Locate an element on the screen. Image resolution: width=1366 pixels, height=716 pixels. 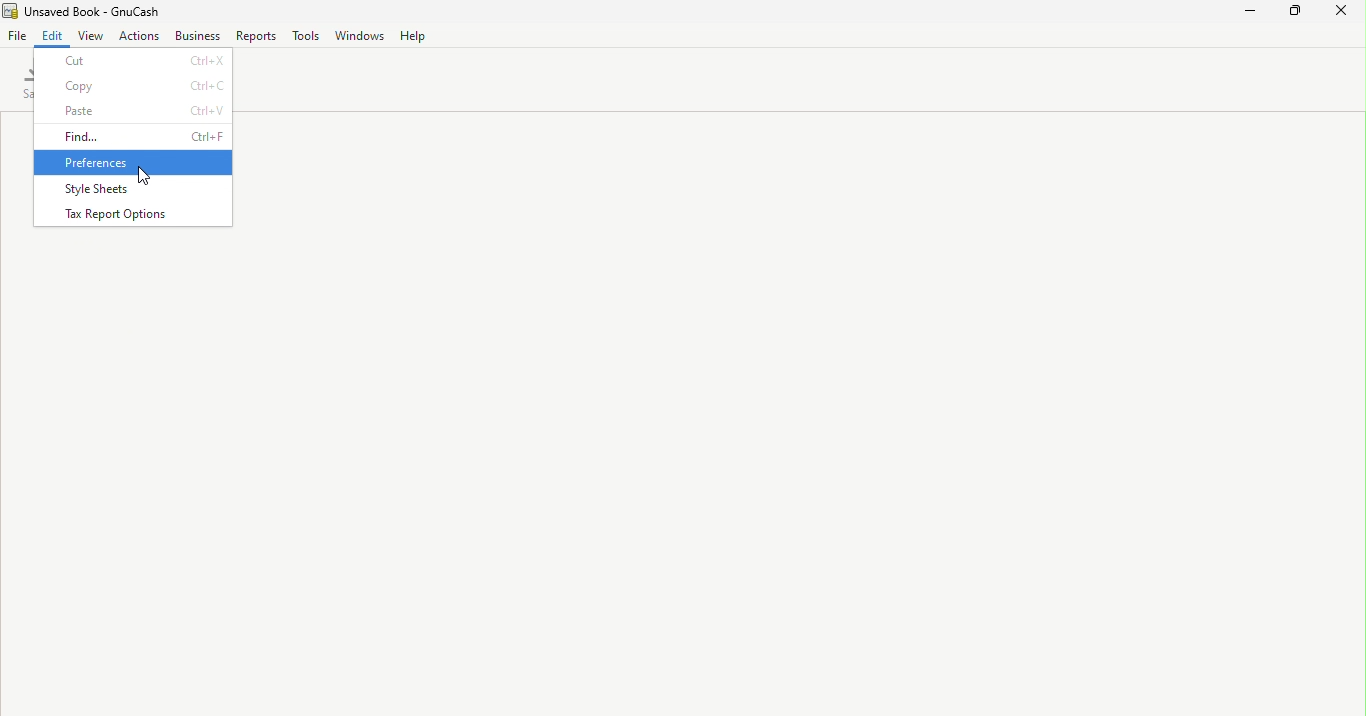
Find is located at coordinates (134, 135).